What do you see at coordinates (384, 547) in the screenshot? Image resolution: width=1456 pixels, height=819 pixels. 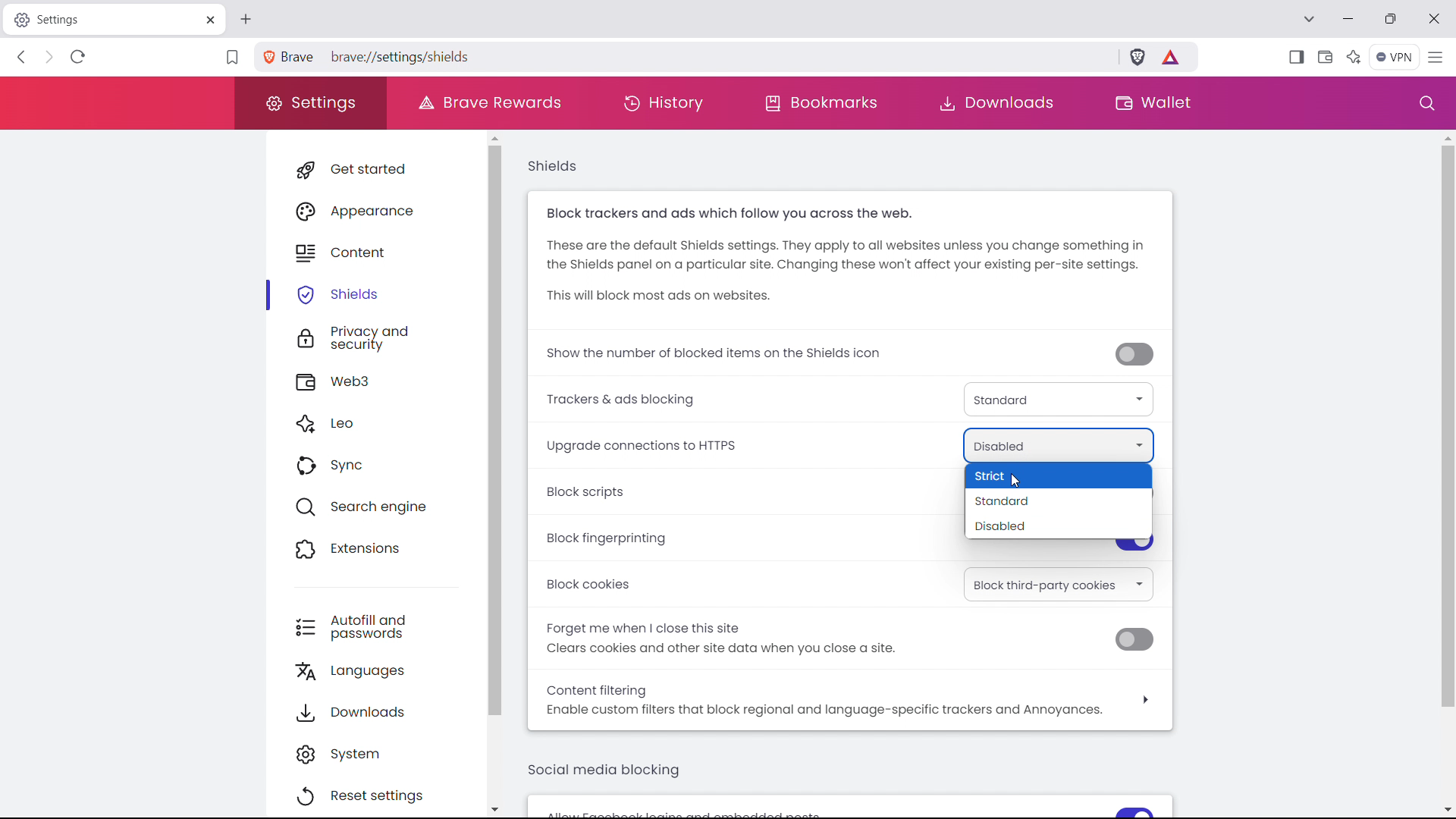 I see `extensions` at bounding box center [384, 547].